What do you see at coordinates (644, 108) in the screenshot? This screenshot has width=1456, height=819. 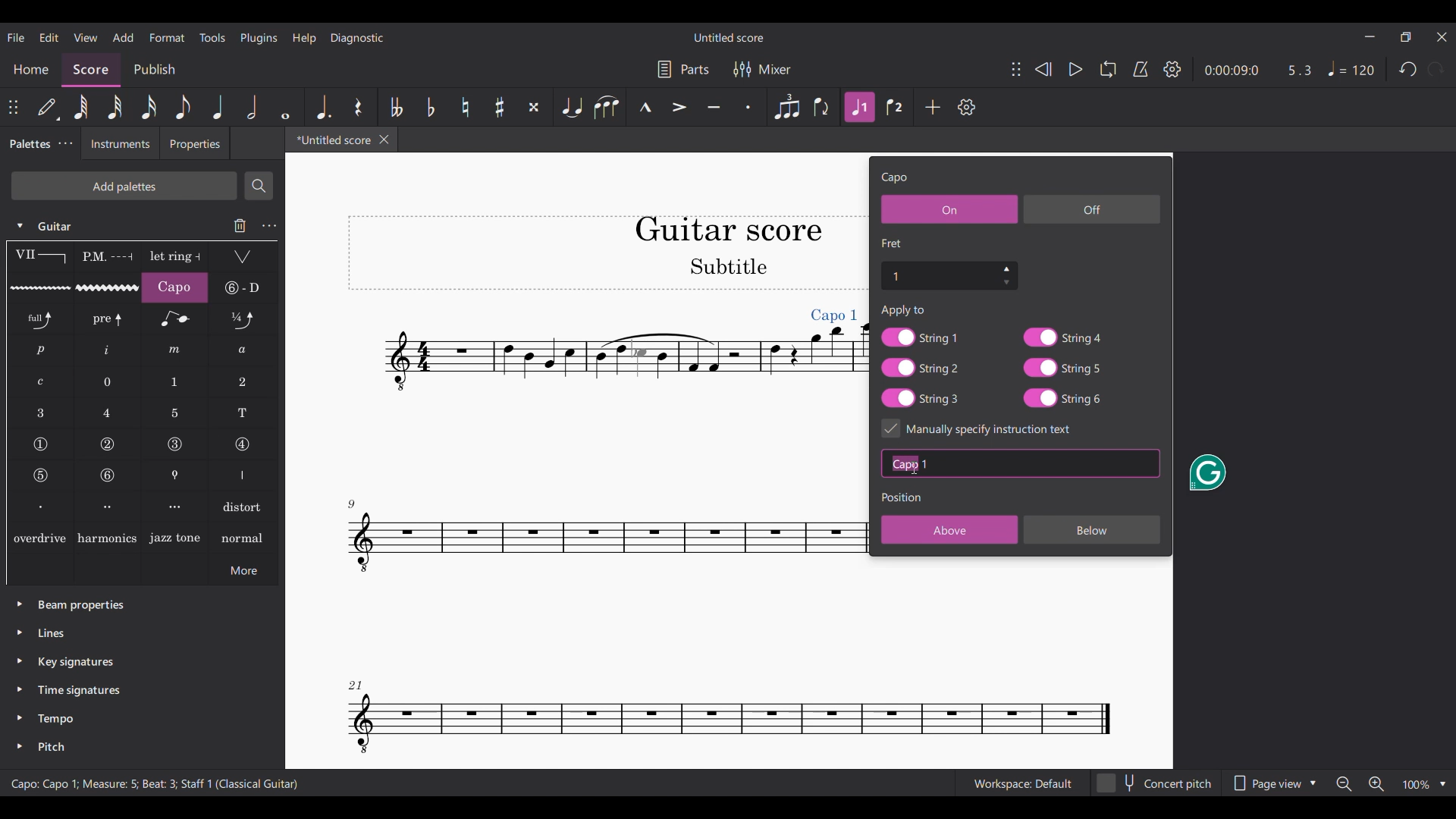 I see `Marcato` at bounding box center [644, 108].